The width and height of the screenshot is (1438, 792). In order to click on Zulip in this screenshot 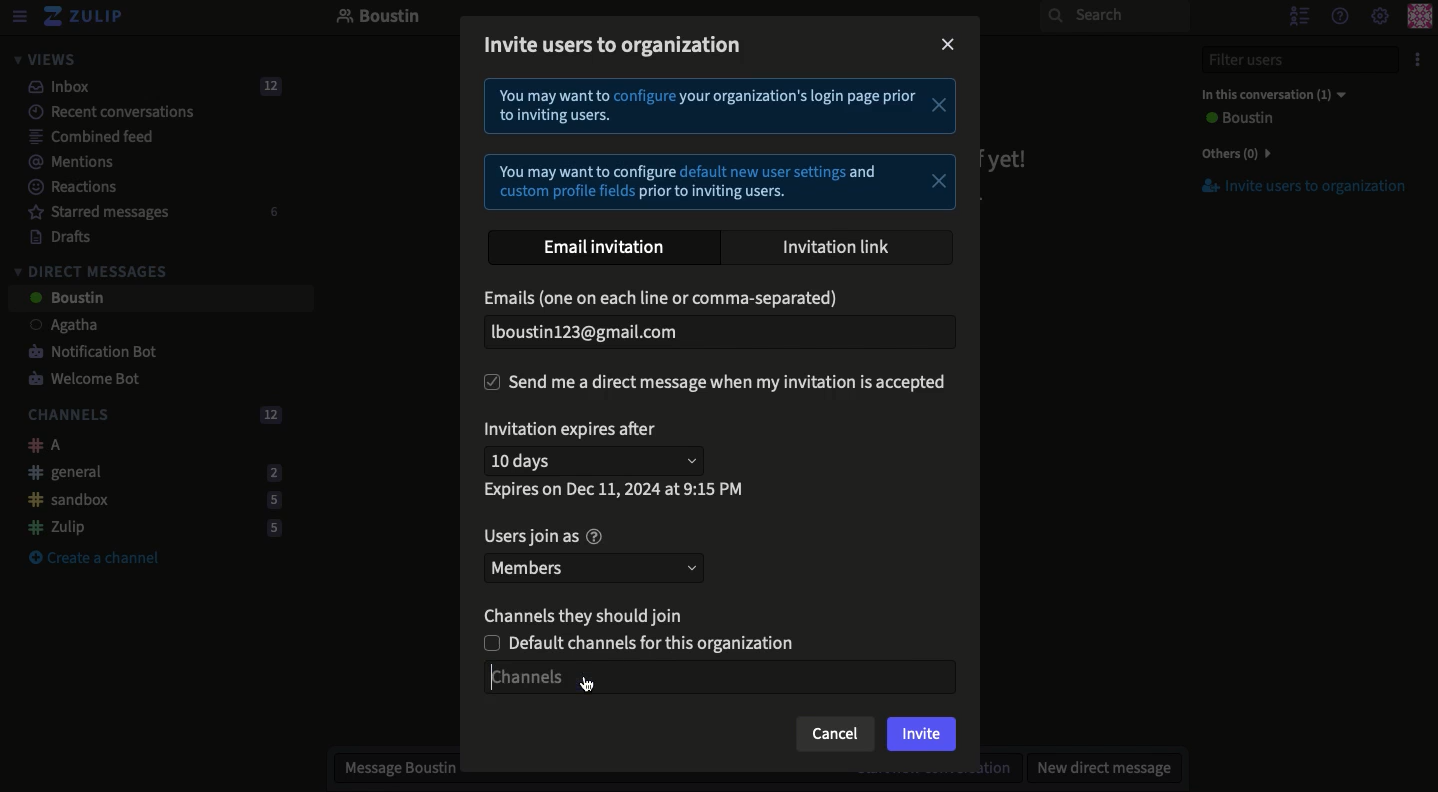, I will do `click(85, 17)`.